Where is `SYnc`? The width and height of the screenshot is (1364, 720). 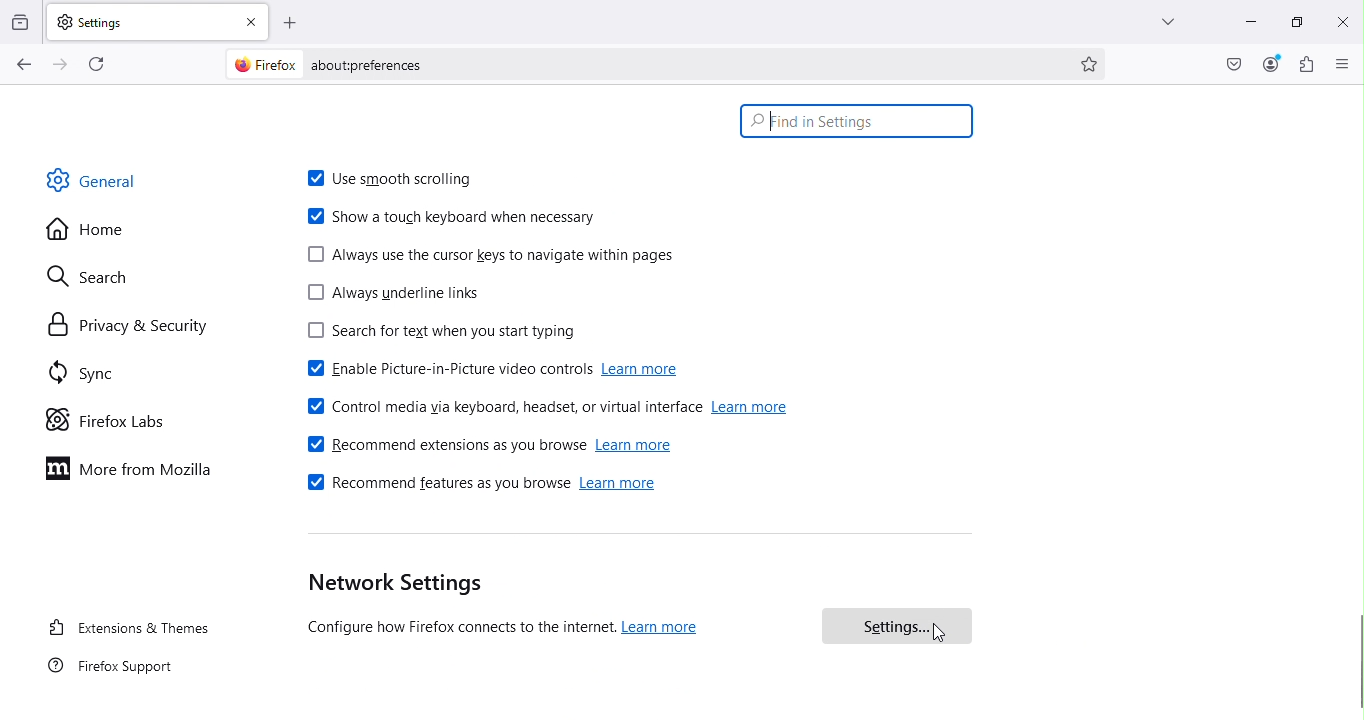 SYnc is located at coordinates (89, 376).